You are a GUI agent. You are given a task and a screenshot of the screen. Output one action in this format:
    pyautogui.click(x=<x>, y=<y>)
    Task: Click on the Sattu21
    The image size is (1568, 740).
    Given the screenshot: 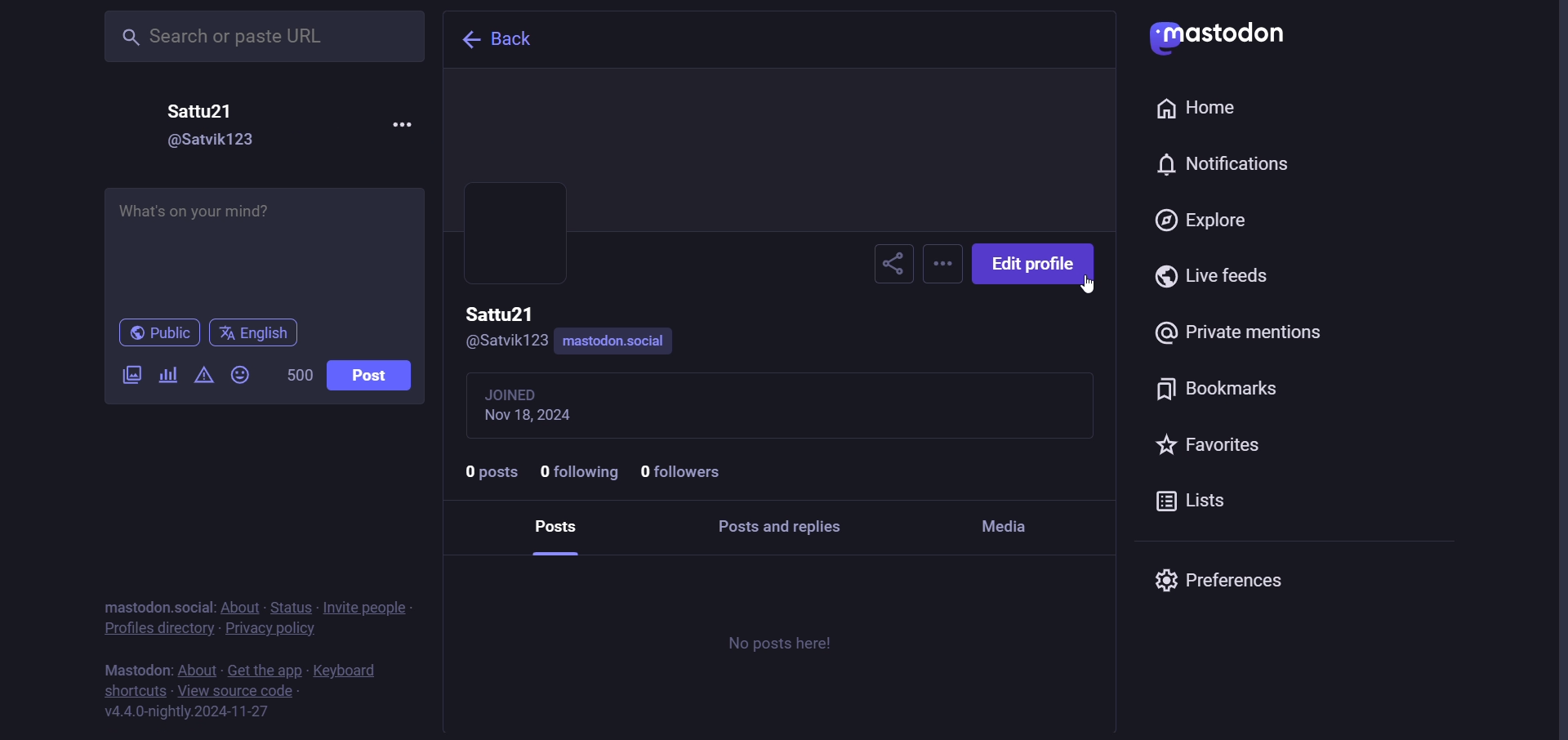 What is the action you would take?
    pyautogui.click(x=202, y=113)
    